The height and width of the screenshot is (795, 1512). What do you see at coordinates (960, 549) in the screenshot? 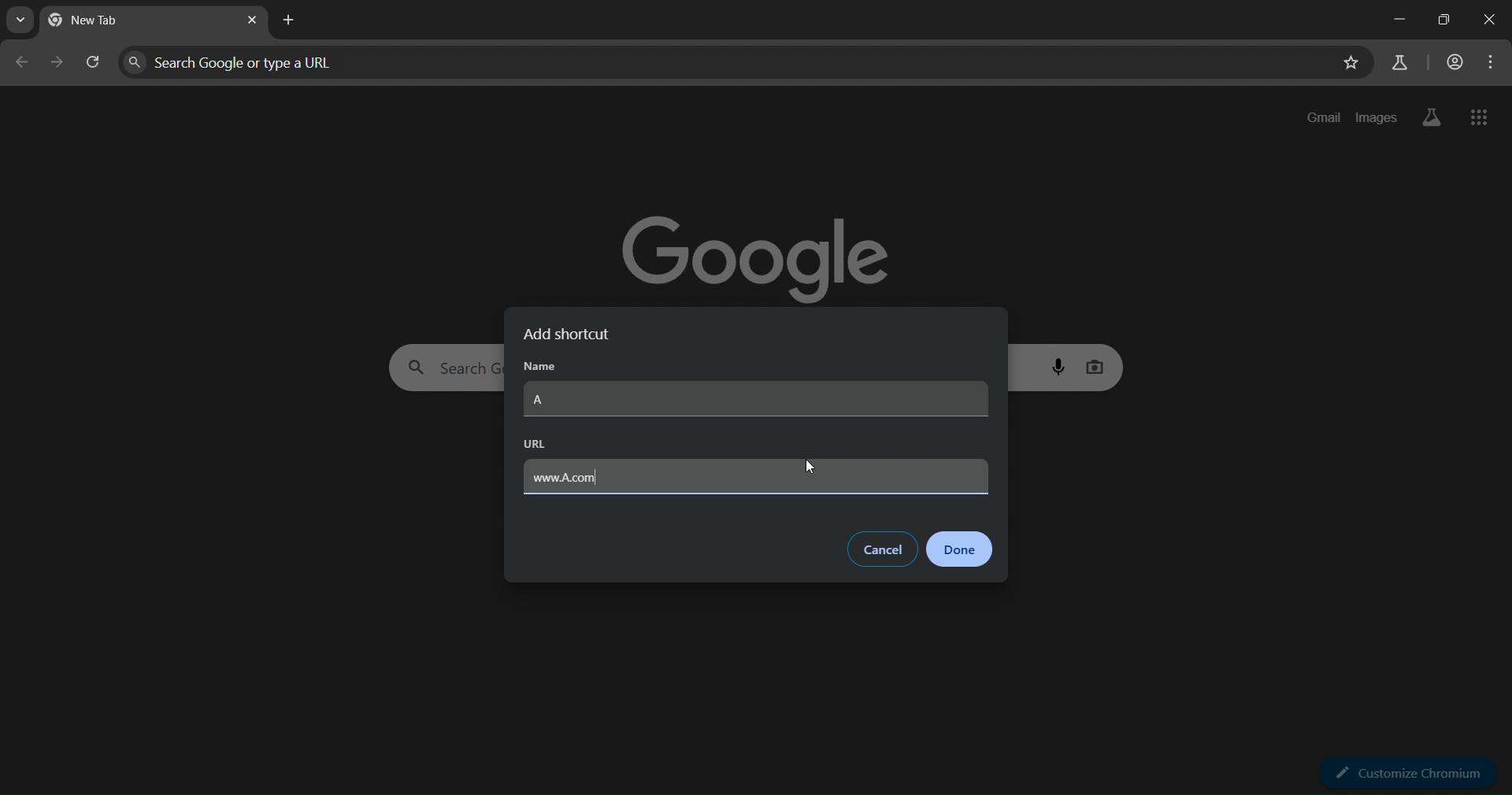
I see `done` at bounding box center [960, 549].